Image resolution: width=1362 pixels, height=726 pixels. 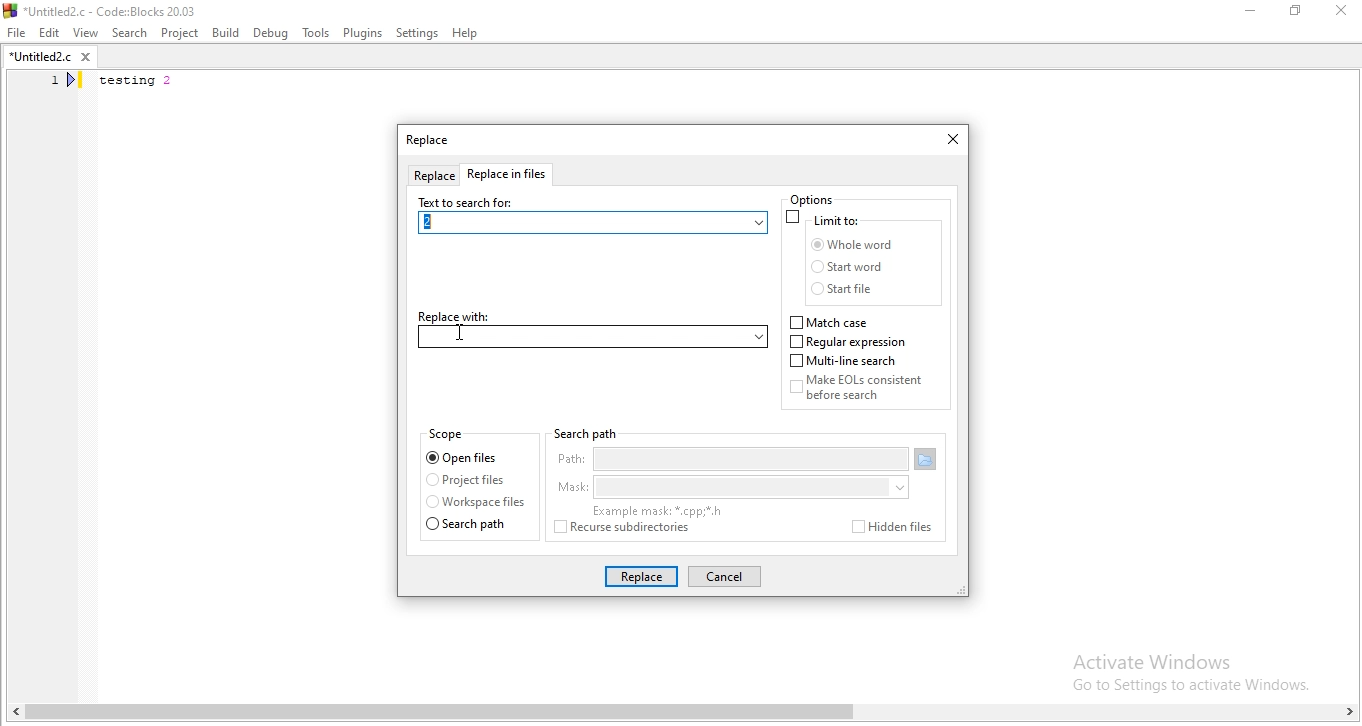 What do you see at coordinates (870, 392) in the screenshot?
I see `Make EOLs consistent before search` at bounding box center [870, 392].